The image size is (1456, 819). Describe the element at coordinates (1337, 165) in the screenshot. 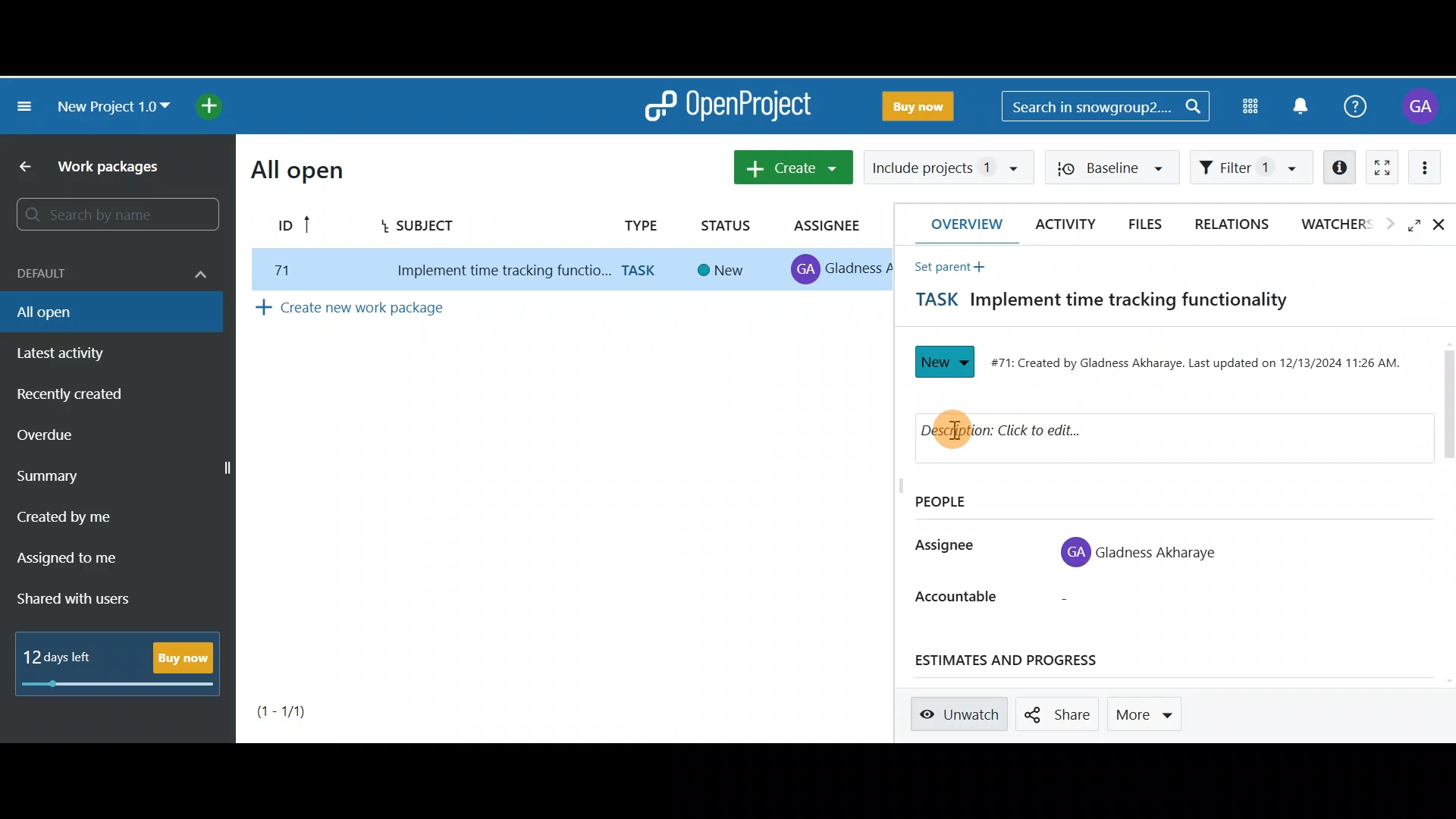

I see `Open details view` at that location.